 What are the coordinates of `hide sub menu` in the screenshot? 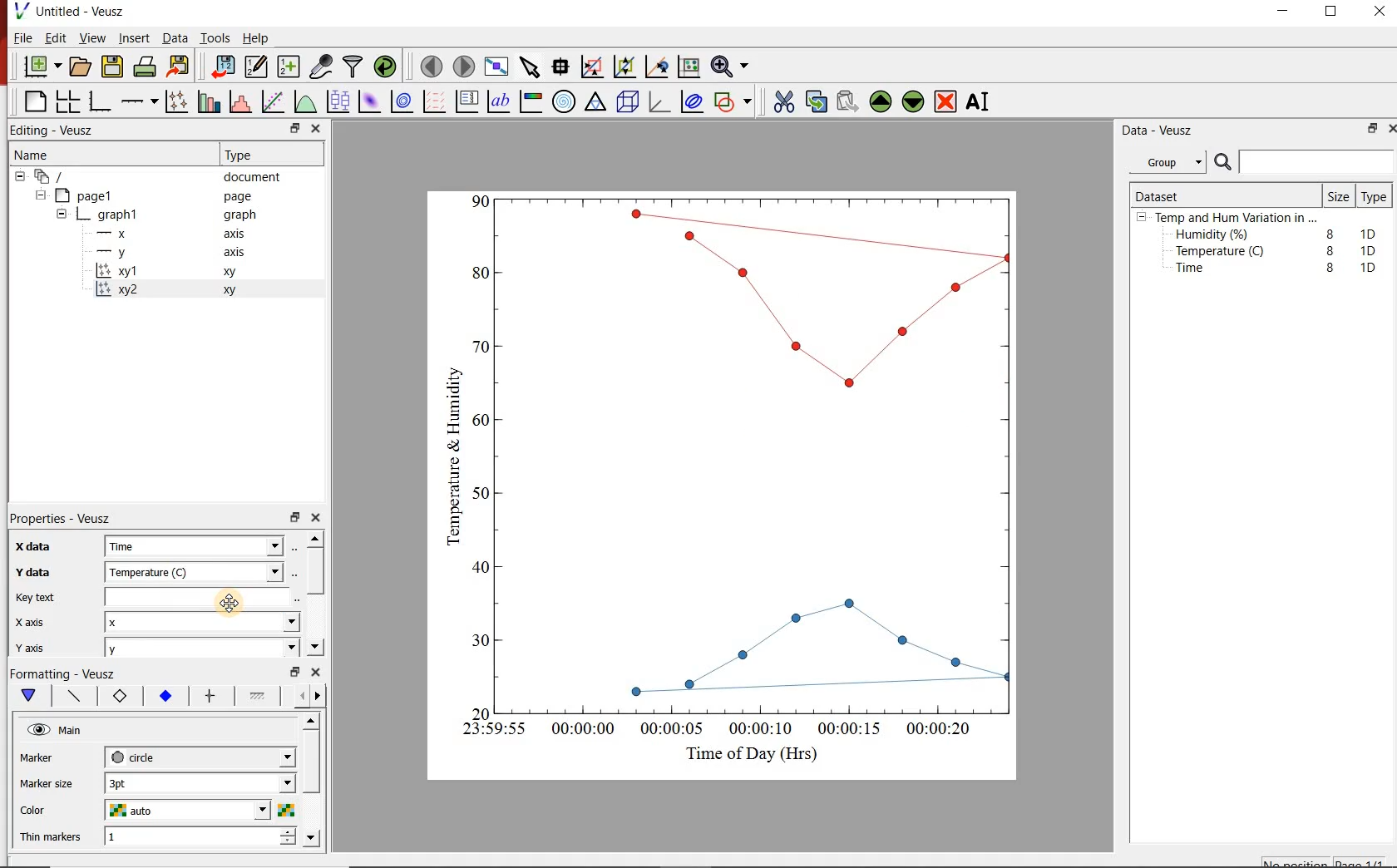 It's located at (1142, 219).